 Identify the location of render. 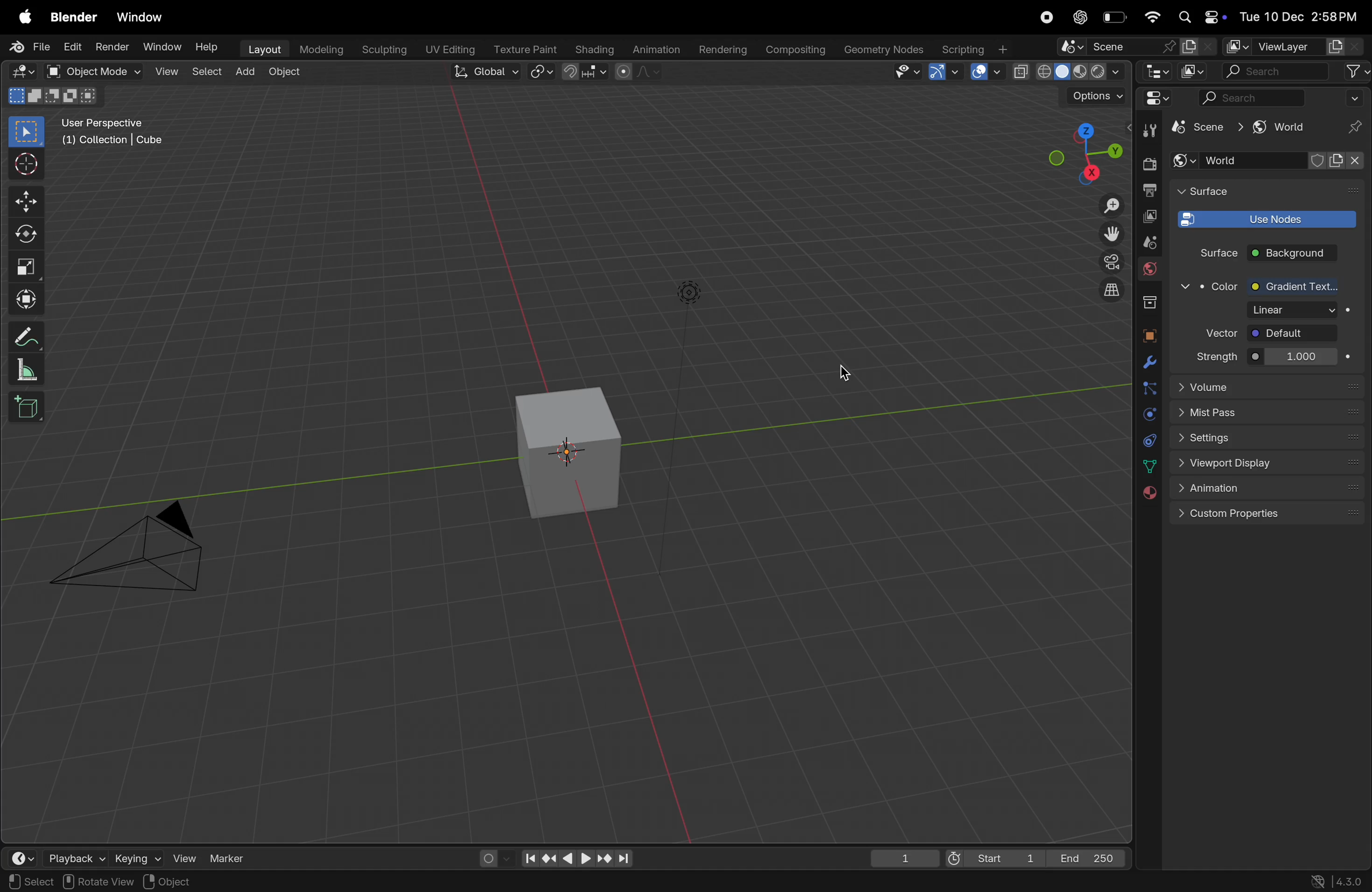
(1148, 164).